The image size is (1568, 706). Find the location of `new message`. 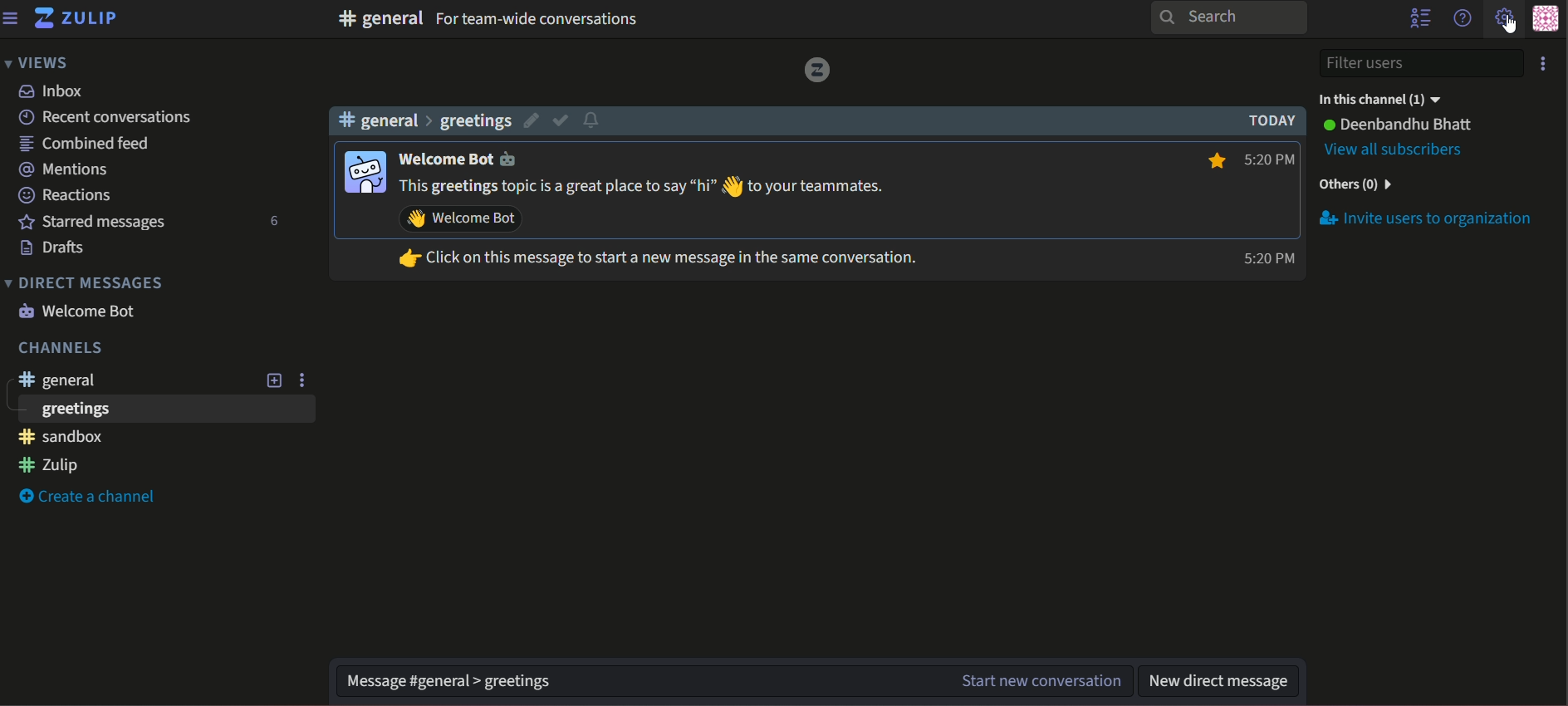

new message is located at coordinates (1223, 679).